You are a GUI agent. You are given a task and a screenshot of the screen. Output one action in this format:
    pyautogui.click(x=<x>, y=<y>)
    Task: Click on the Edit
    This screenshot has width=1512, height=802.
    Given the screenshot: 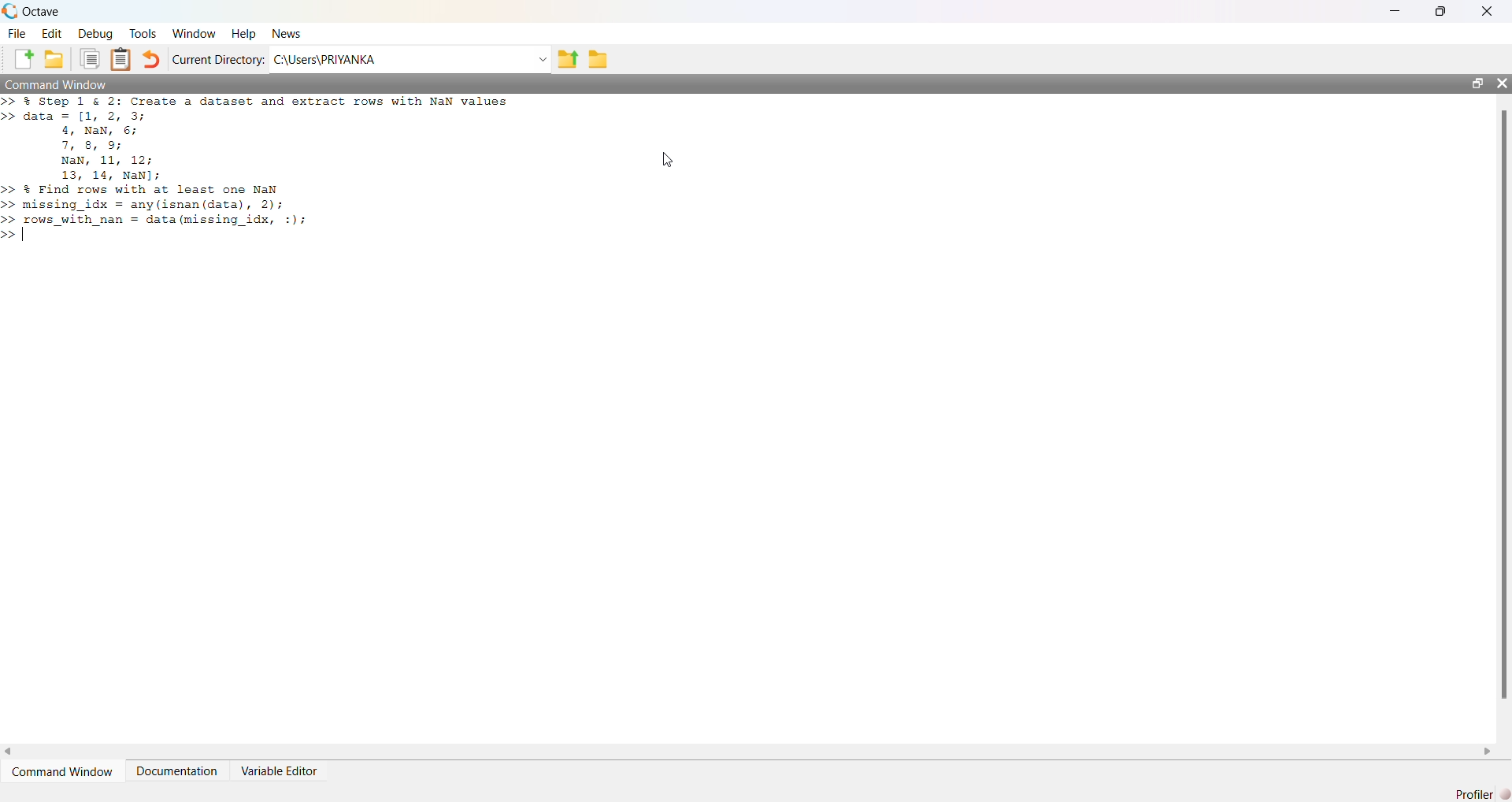 What is the action you would take?
    pyautogui.click(x=52, y=34)
    